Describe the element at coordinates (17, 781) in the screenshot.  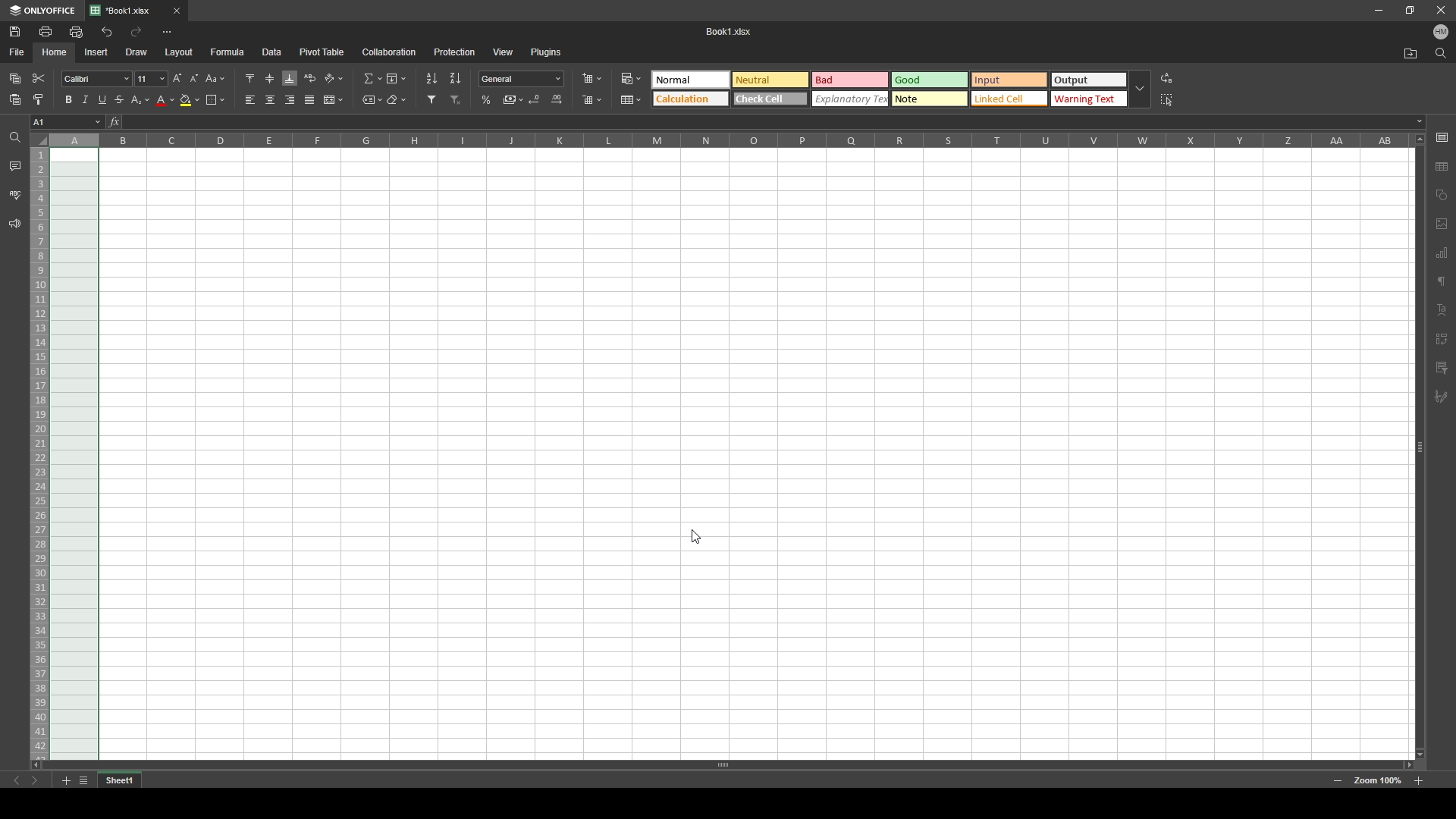
I see `previous` at that location.